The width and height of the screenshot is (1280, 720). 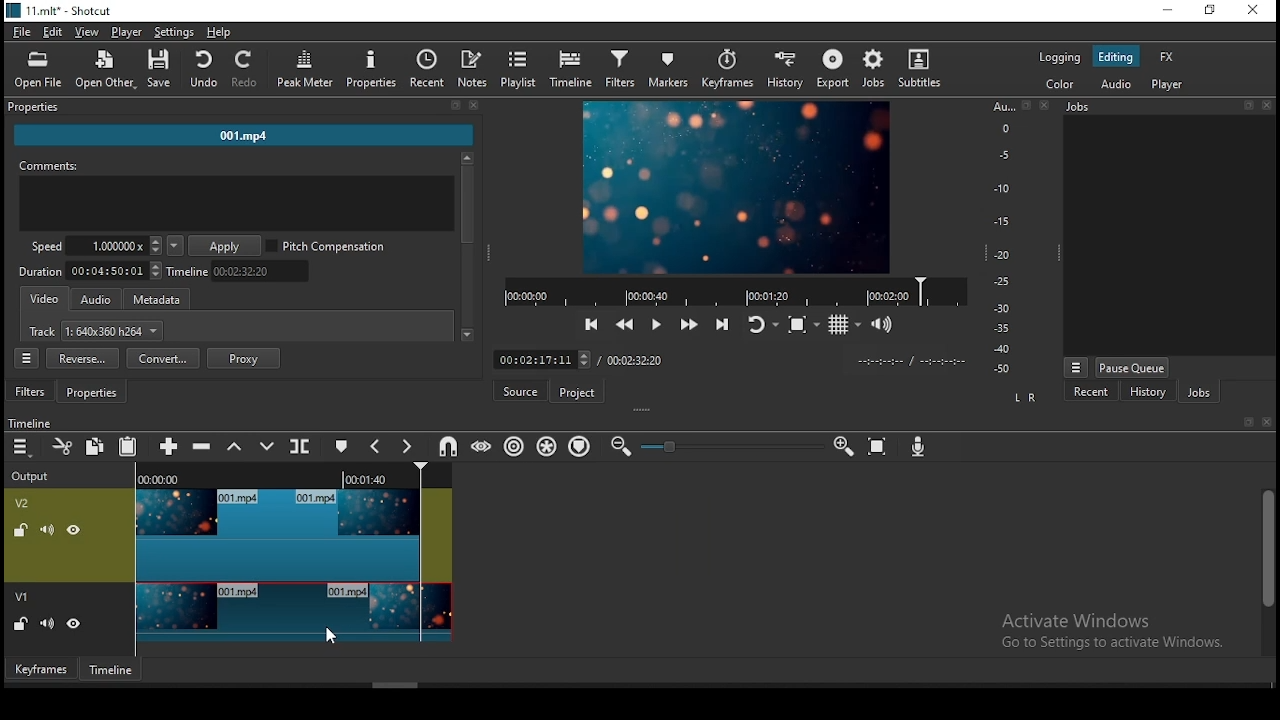 What do you see at coordinates (87, 33) in the screenshot?
I see `view` at bounding box center [87, 33].